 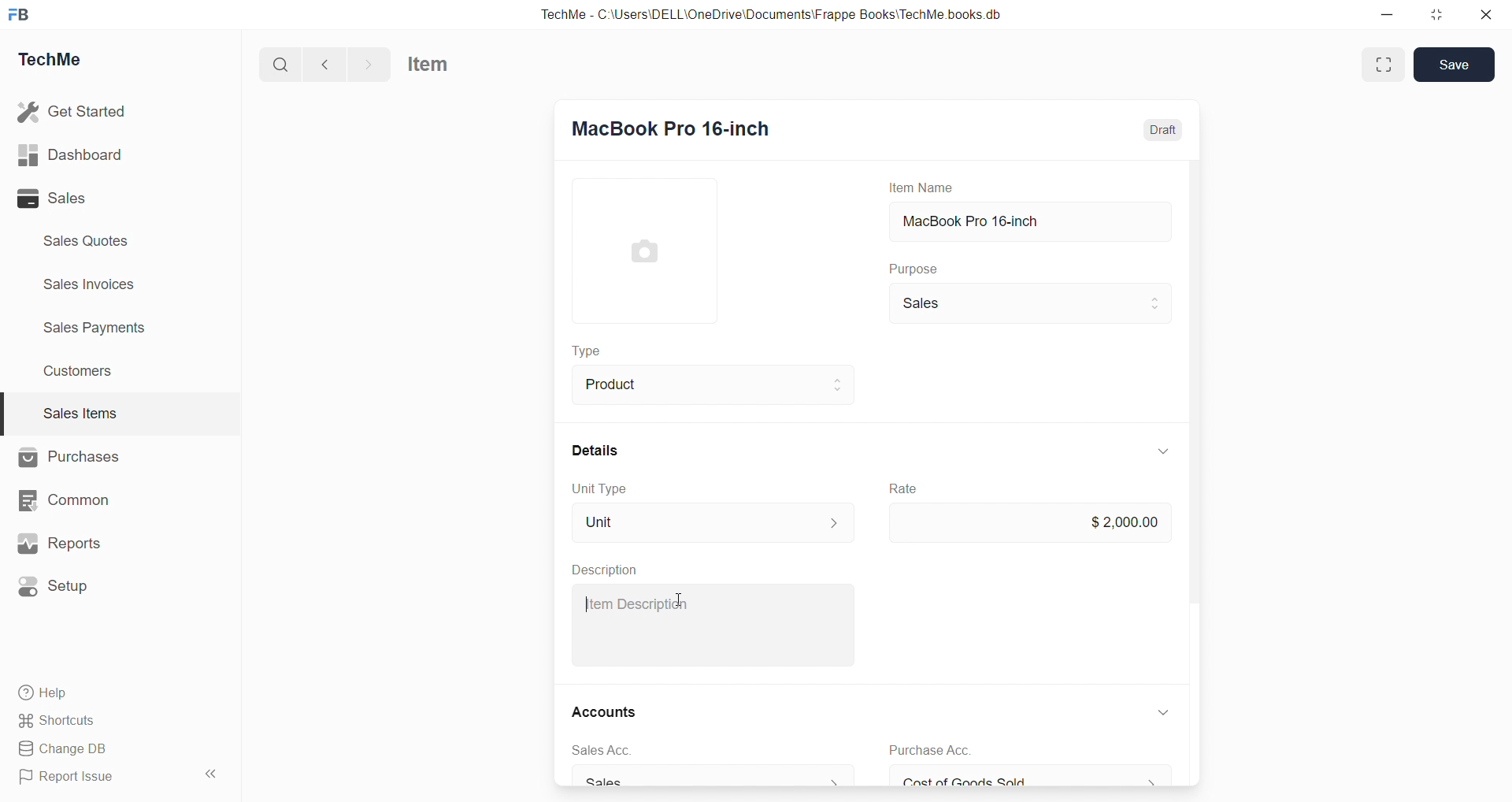 What do you see at coordinates (712, 778) in the screenshot?
I see `Sales` at bounding box center [712, 778].